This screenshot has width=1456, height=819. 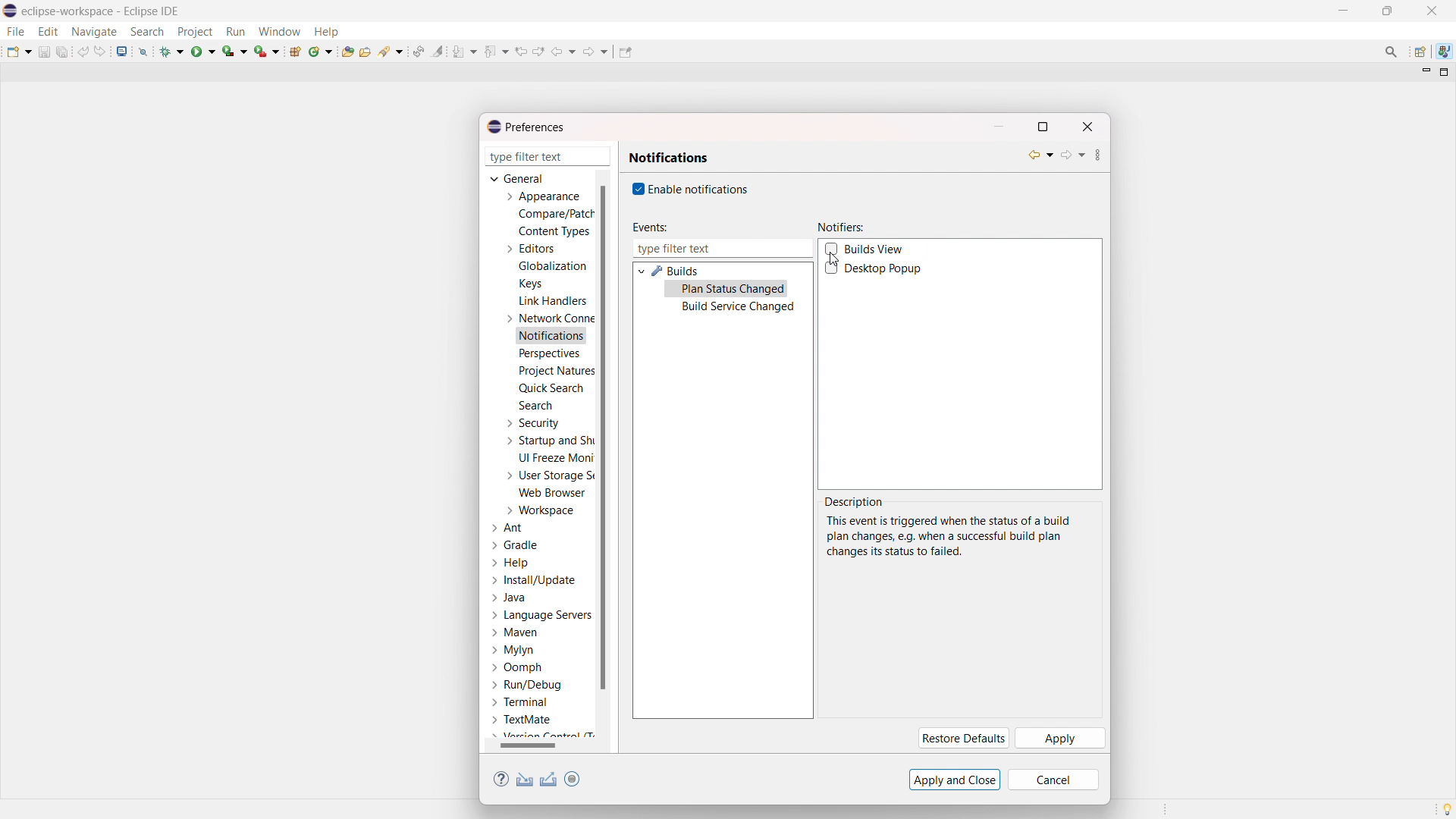 I want to click on ant, so click(x=509, y=529).